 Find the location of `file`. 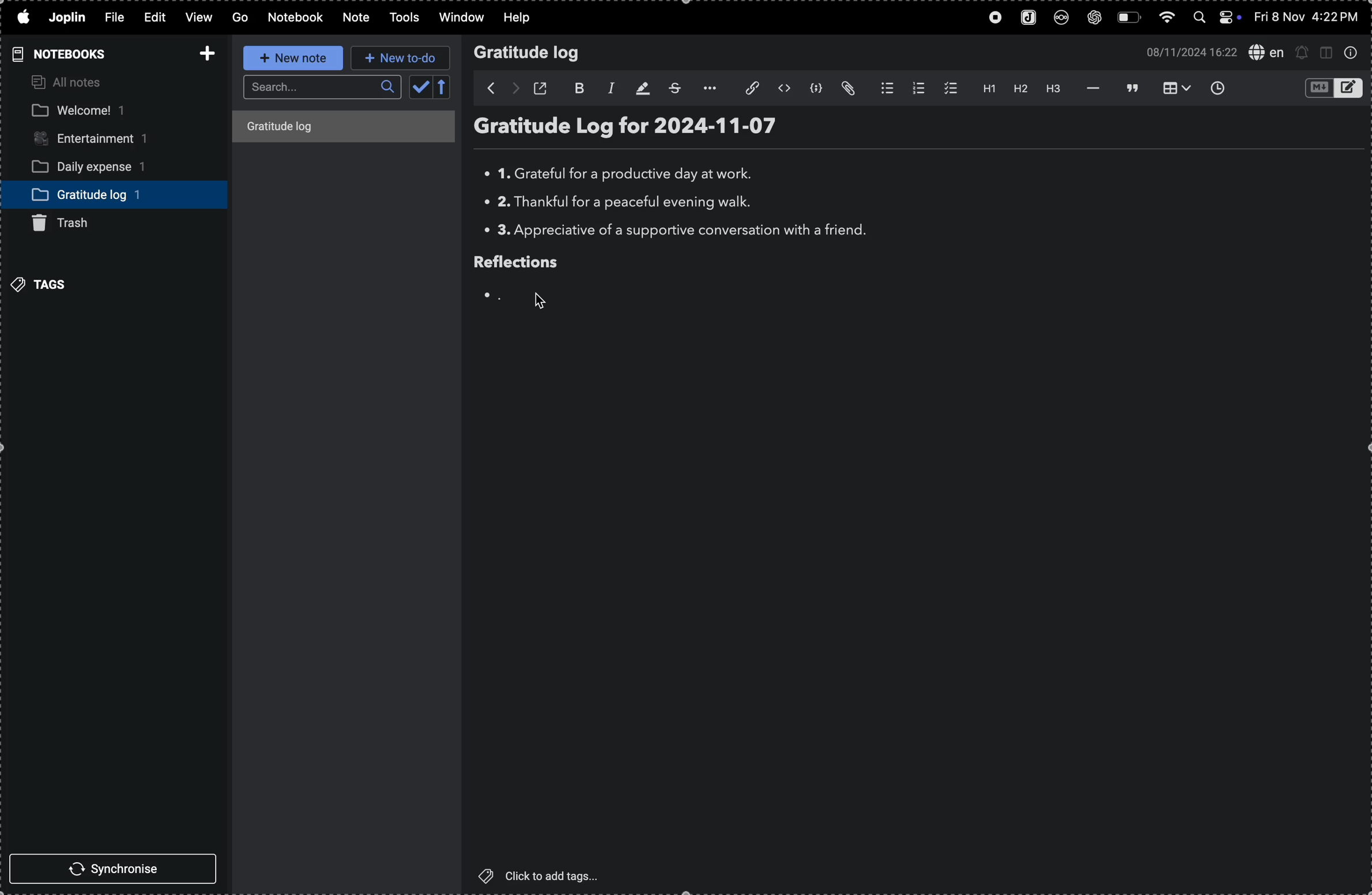

file is located at coordinates (114, 18).